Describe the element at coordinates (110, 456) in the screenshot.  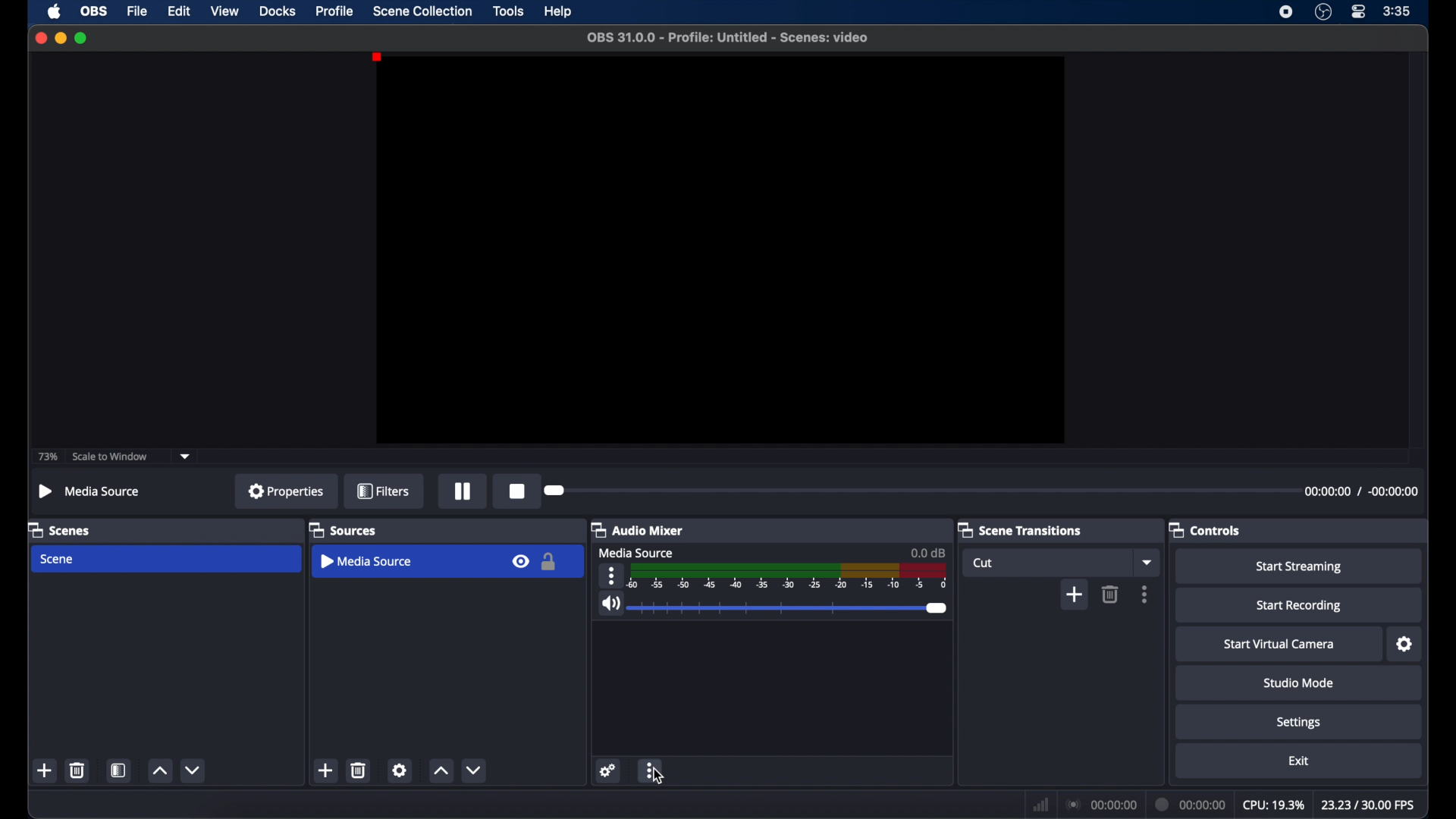
I see `scale to window` at that location.